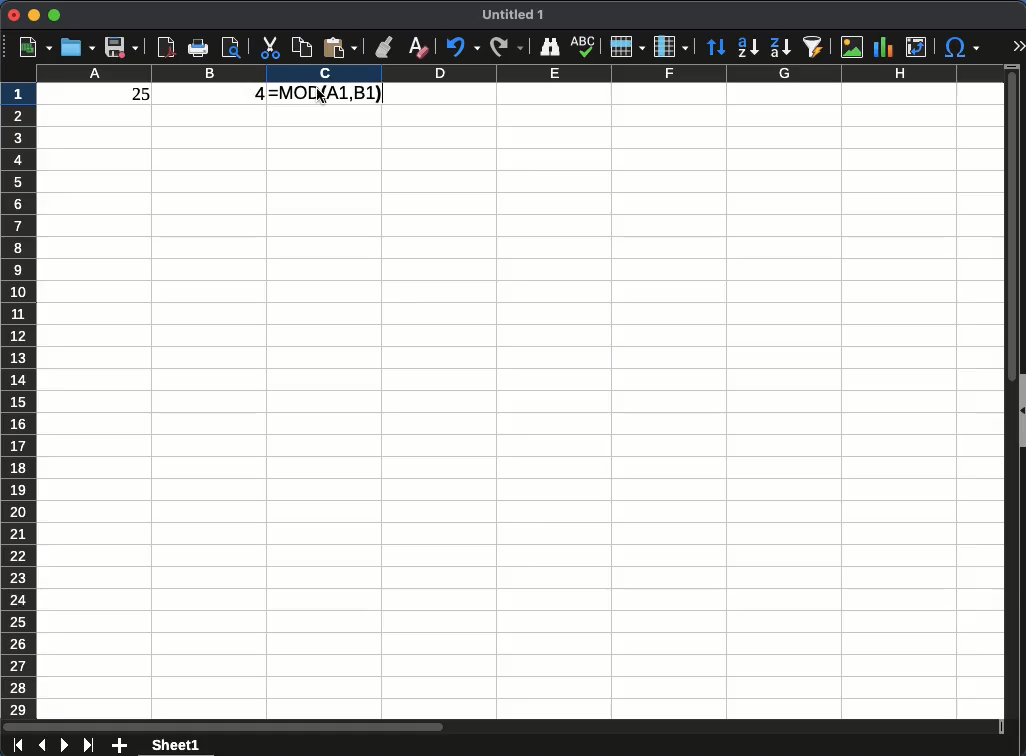 This screenshot has height=756, width=1026. What do you see at coordinates (327, 102) in the screenshot?
I see `Cursor` at bounding box center [327, 102].